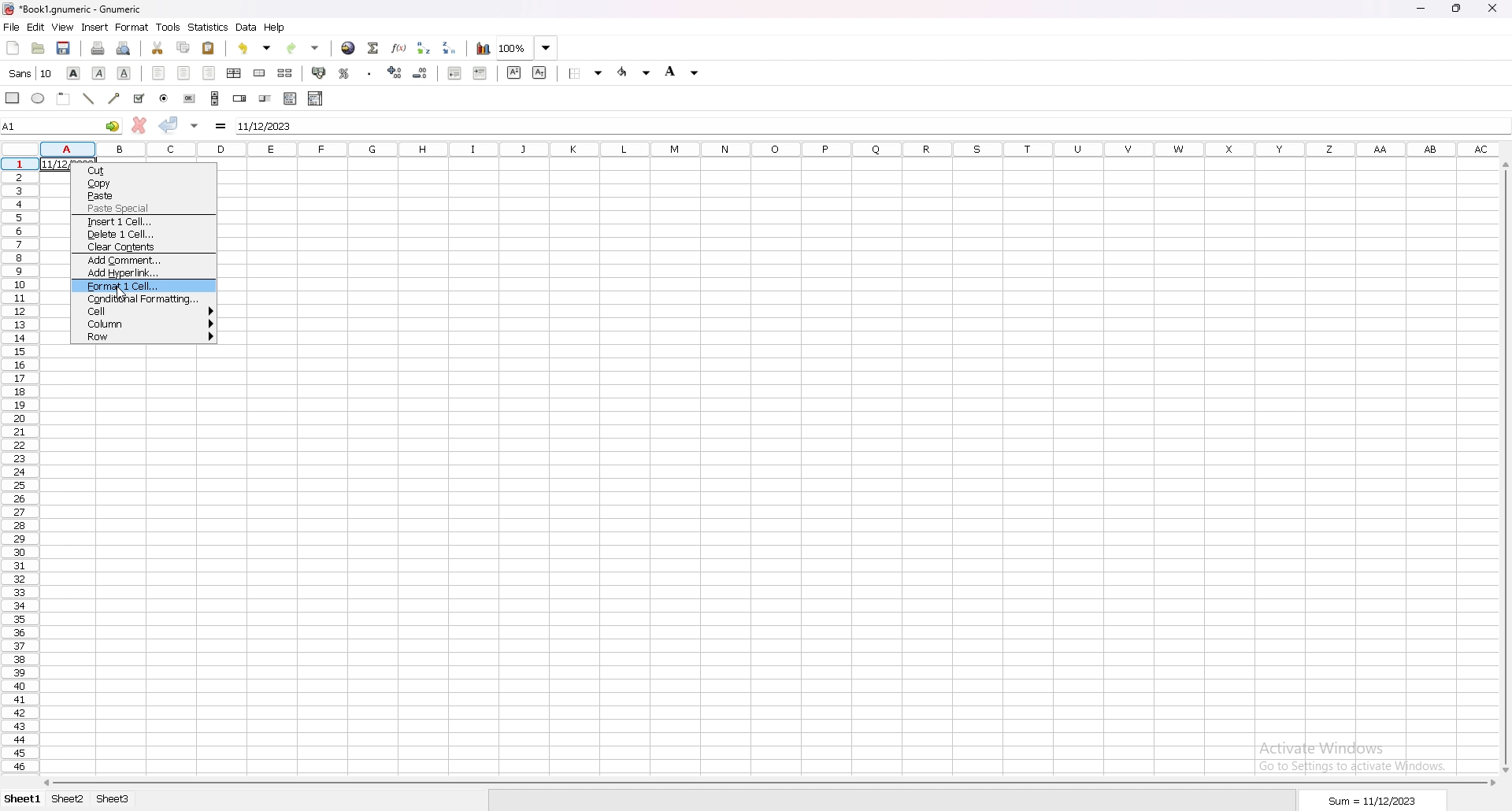  What do you see at coordinates (241, 98) in the screenshot?
I see `spin button` at bounding box center [241, 98].